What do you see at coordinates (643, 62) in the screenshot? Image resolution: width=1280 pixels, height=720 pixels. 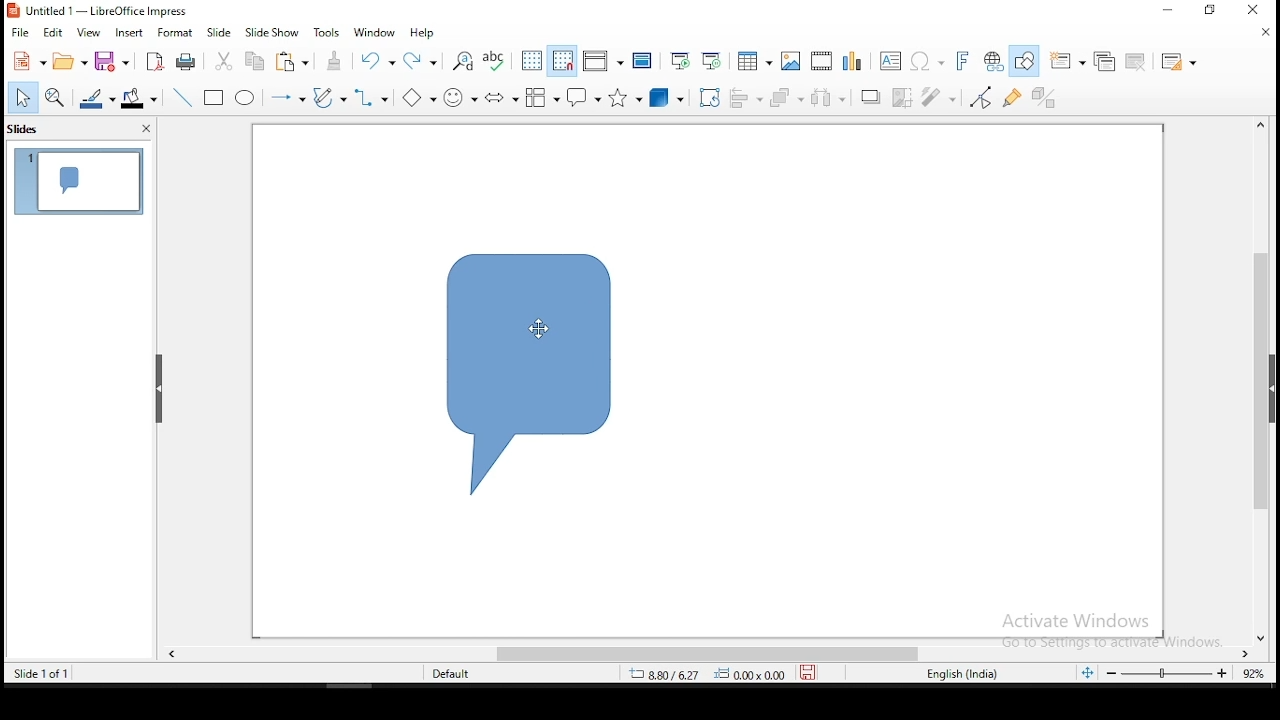 I see `master slide` at bounding box center [643, 62].